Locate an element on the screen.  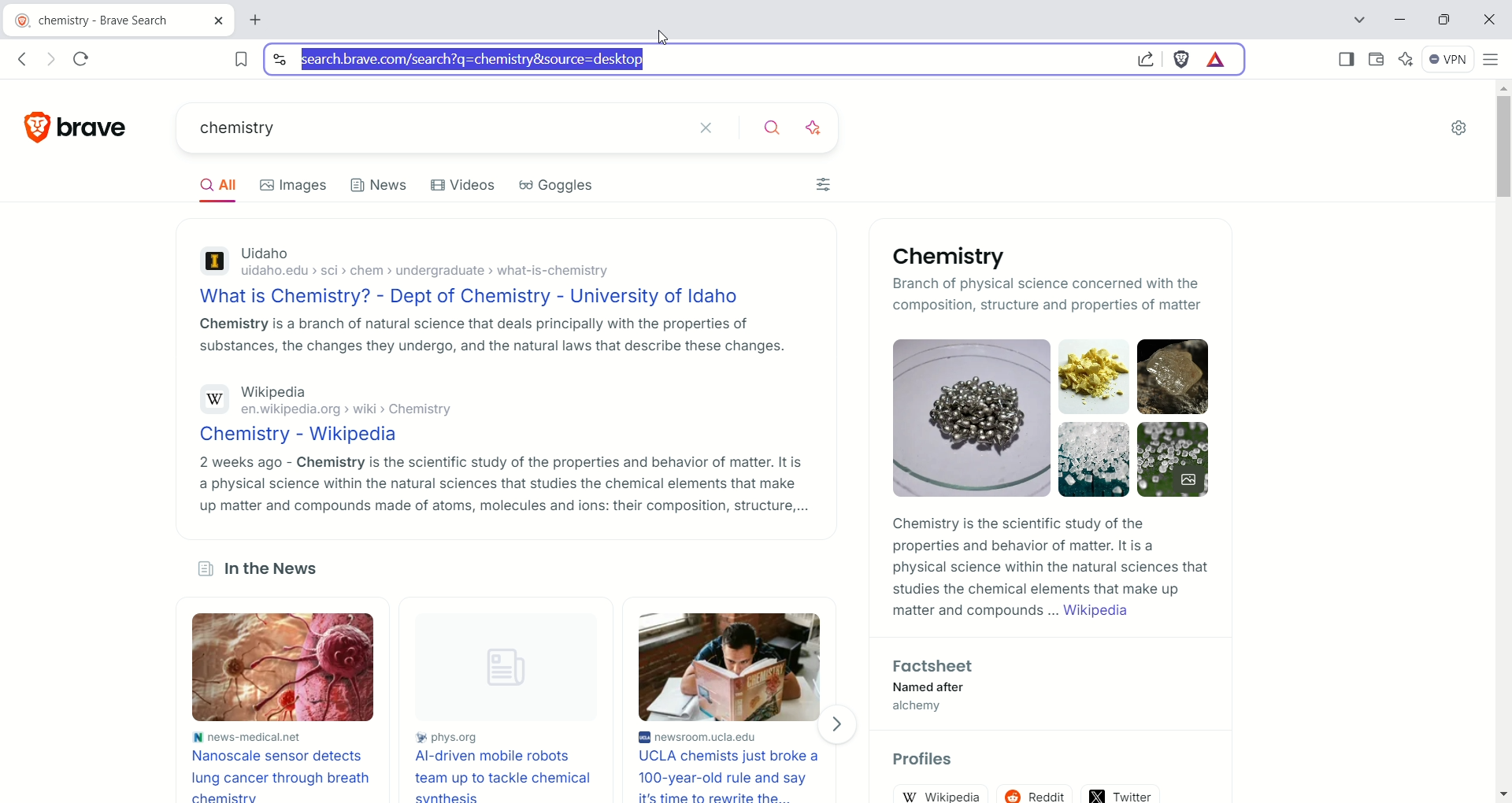
Videos is located at coordinates (463, 185).